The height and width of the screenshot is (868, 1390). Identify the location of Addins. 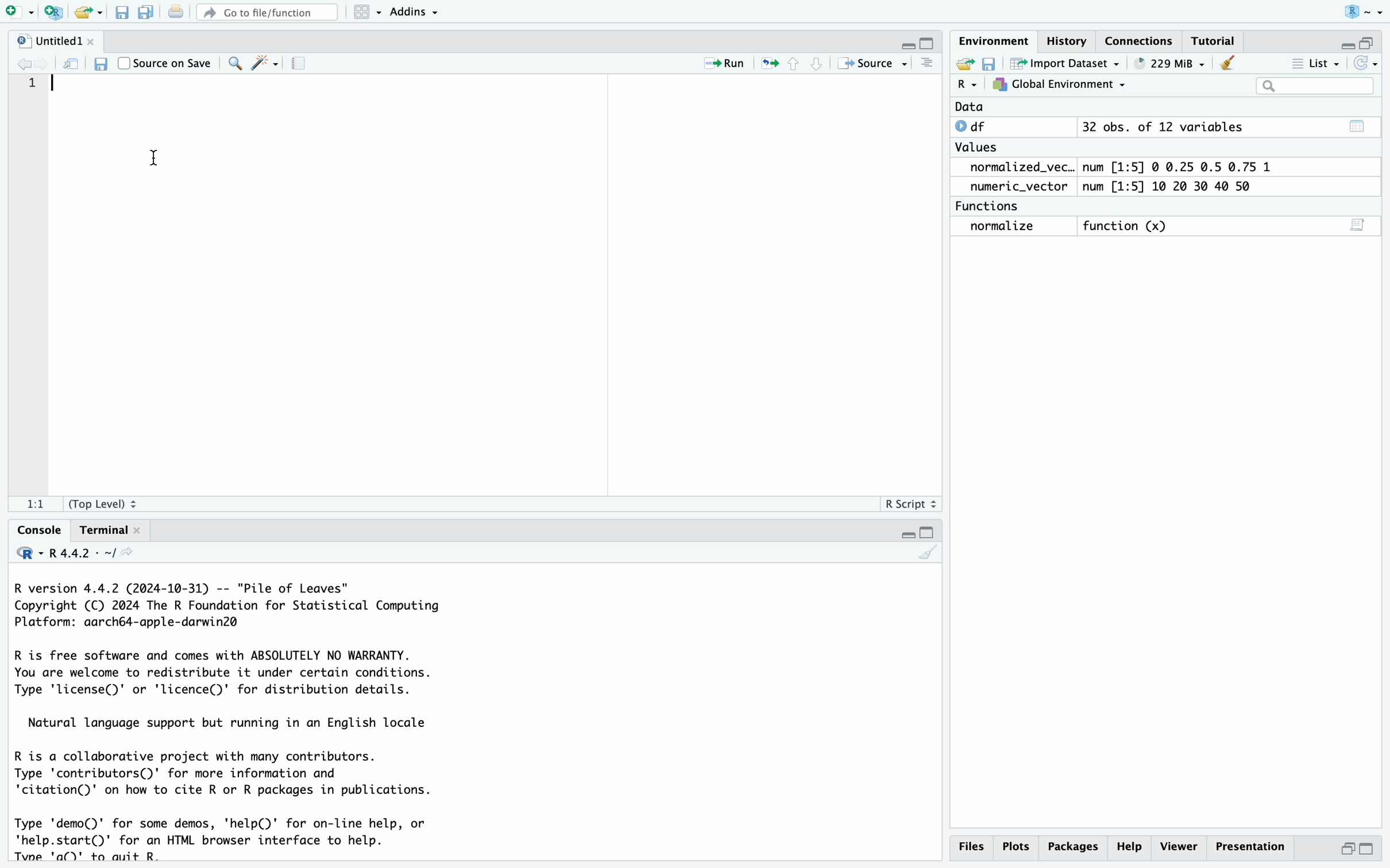
(413, 13).